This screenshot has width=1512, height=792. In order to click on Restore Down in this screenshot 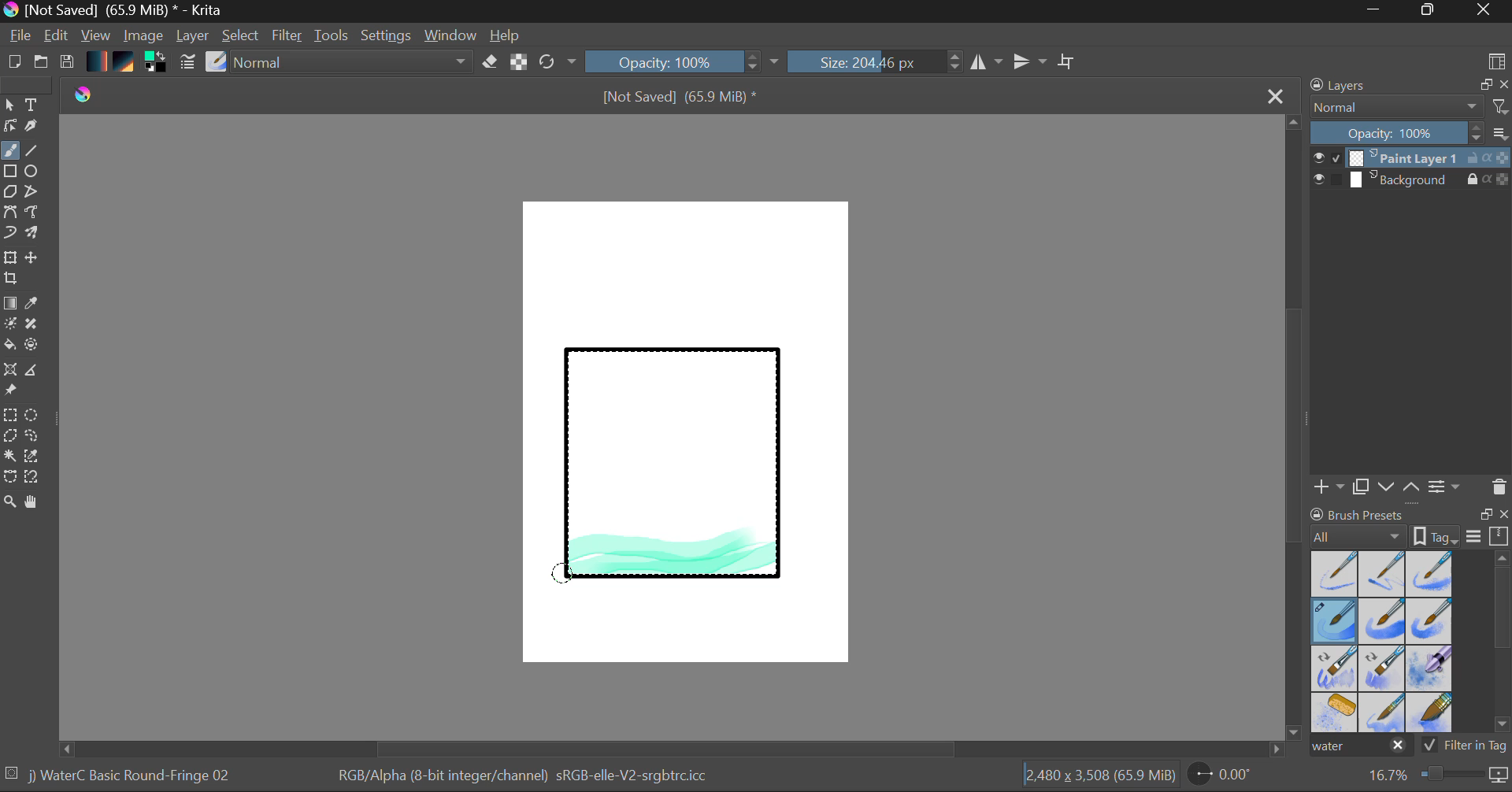, I will do `click(1379, 11)`.